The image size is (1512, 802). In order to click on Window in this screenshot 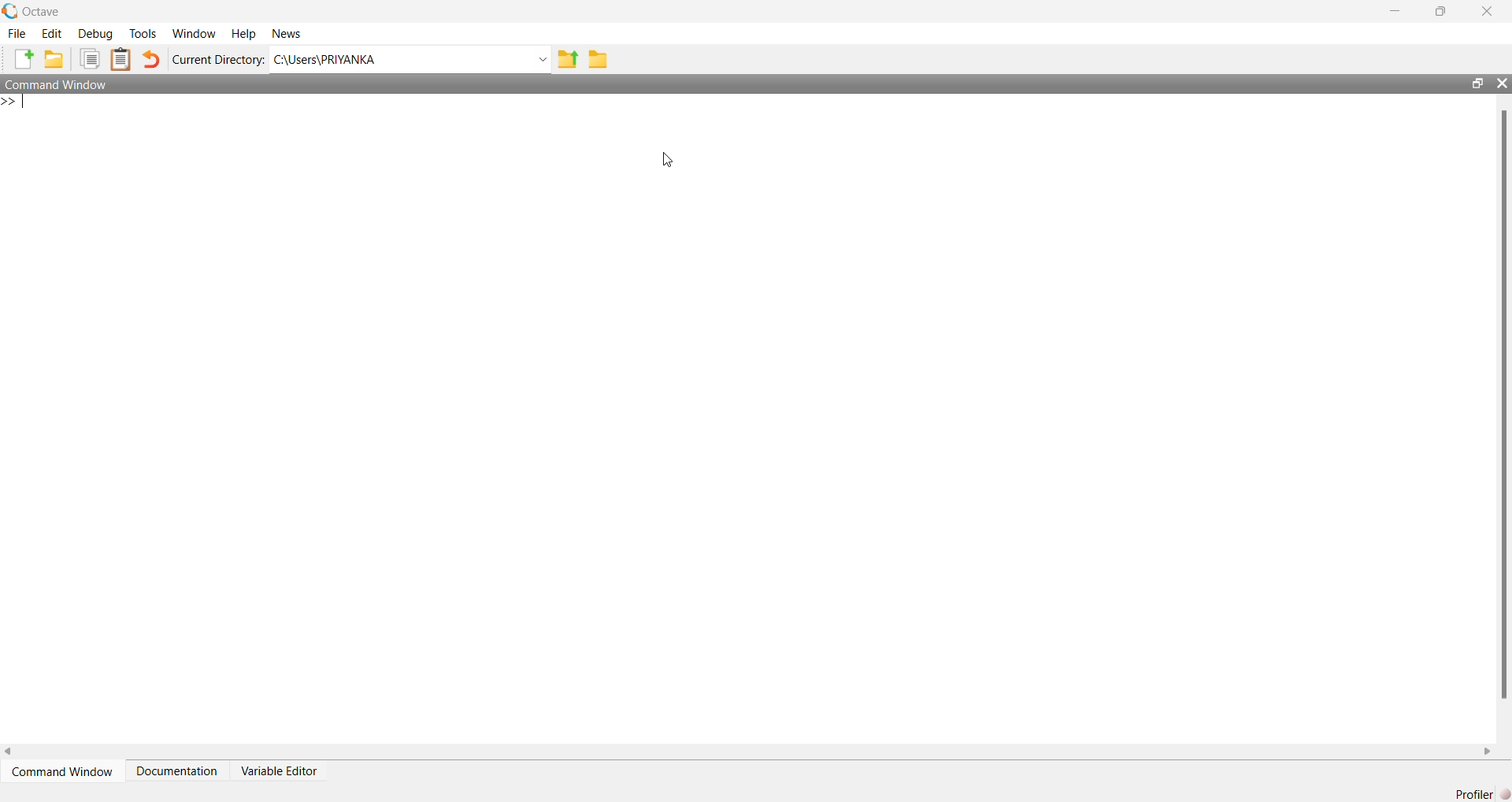, I will do `click(195, 34)`.